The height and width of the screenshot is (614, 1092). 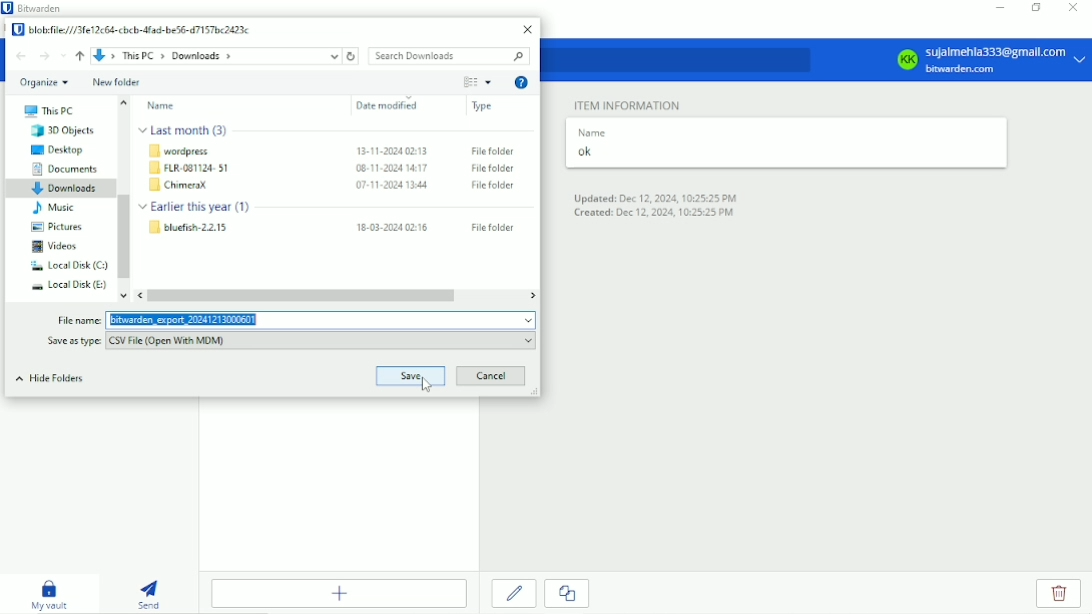 What do you see at coordinates (67, 131) in the screenshot?
I see `3D Objects` at bounding box center [67, 131].